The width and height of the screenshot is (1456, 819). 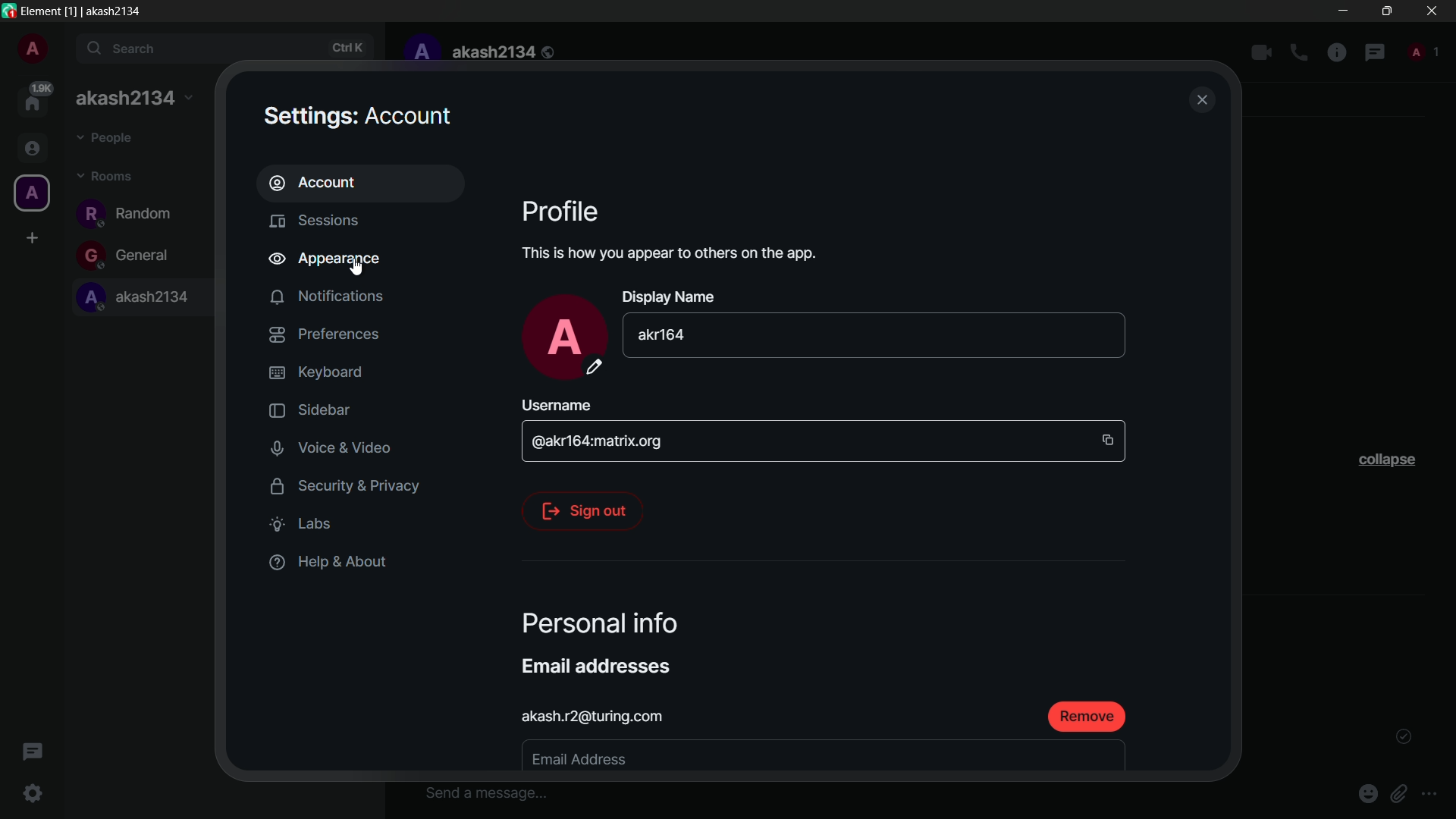 I want to click on labs, so click(x=306, y=524).